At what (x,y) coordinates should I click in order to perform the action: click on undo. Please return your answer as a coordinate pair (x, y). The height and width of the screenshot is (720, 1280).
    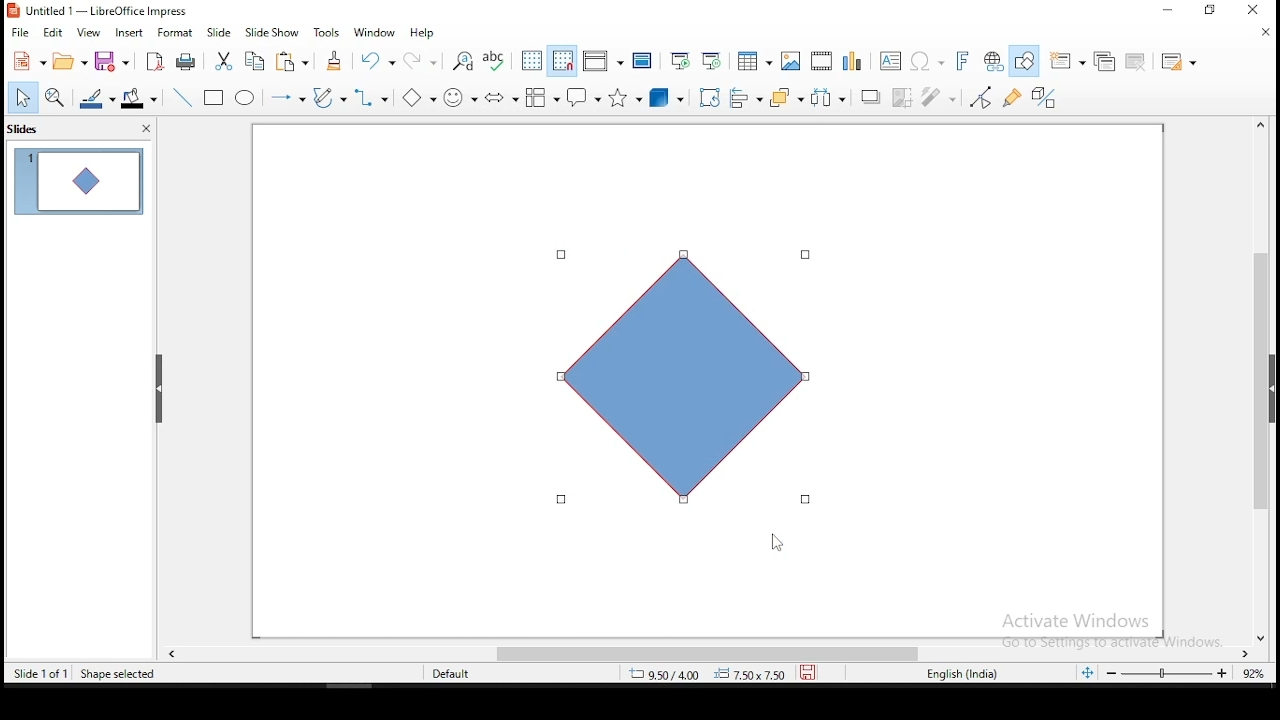
    Looking at the image, I should click on (378, 60).